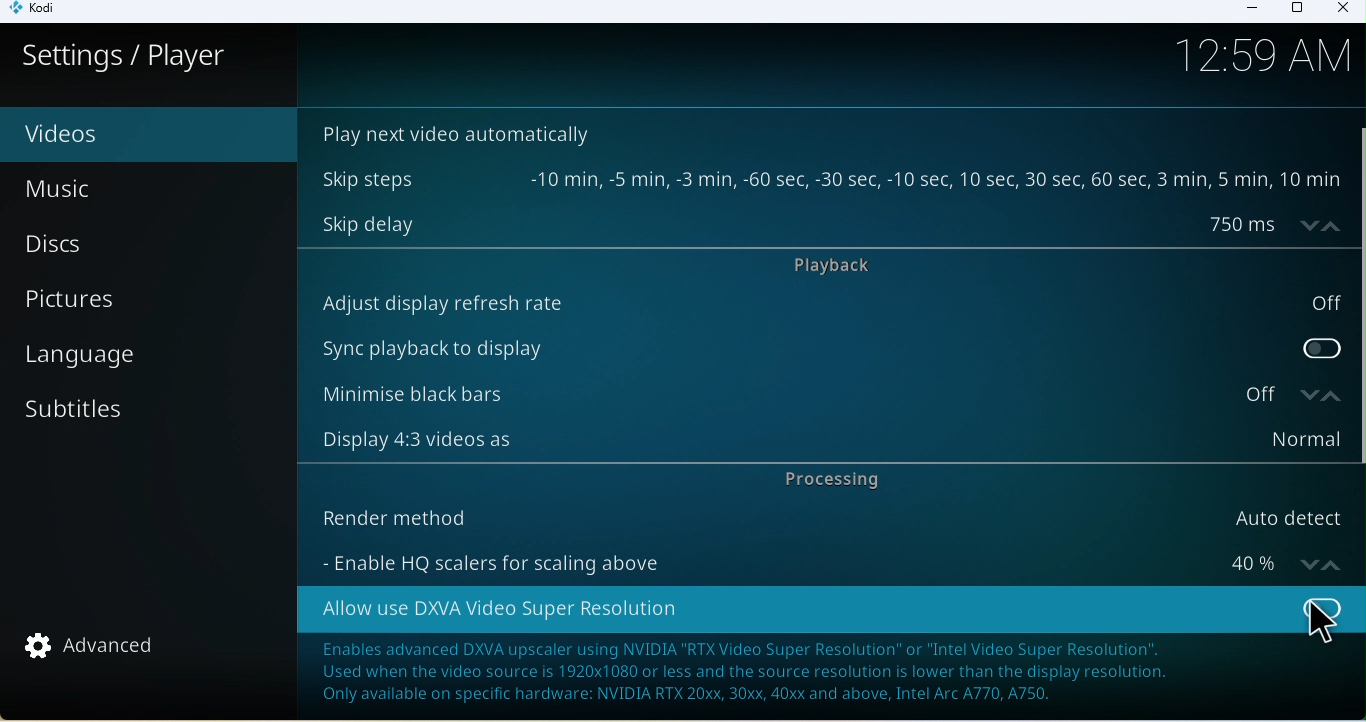 This screenshot has width=1366, height=722. Describe the element at coordinates (821, 442) in the screenshot. I see `Display 4:3 videos as` at that location.